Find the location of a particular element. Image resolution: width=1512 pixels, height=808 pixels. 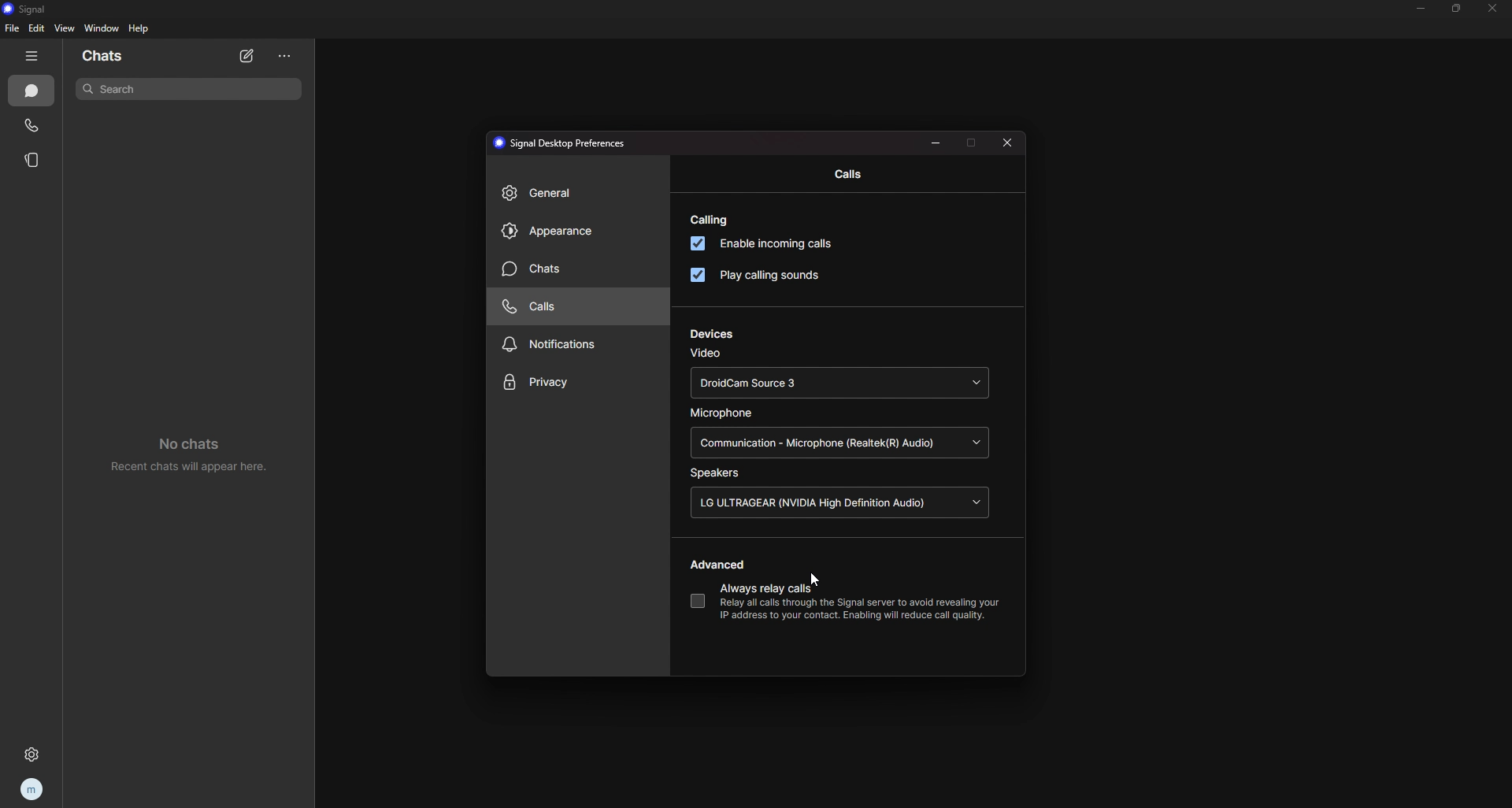

hide tab is located at coordinates (33, 56).